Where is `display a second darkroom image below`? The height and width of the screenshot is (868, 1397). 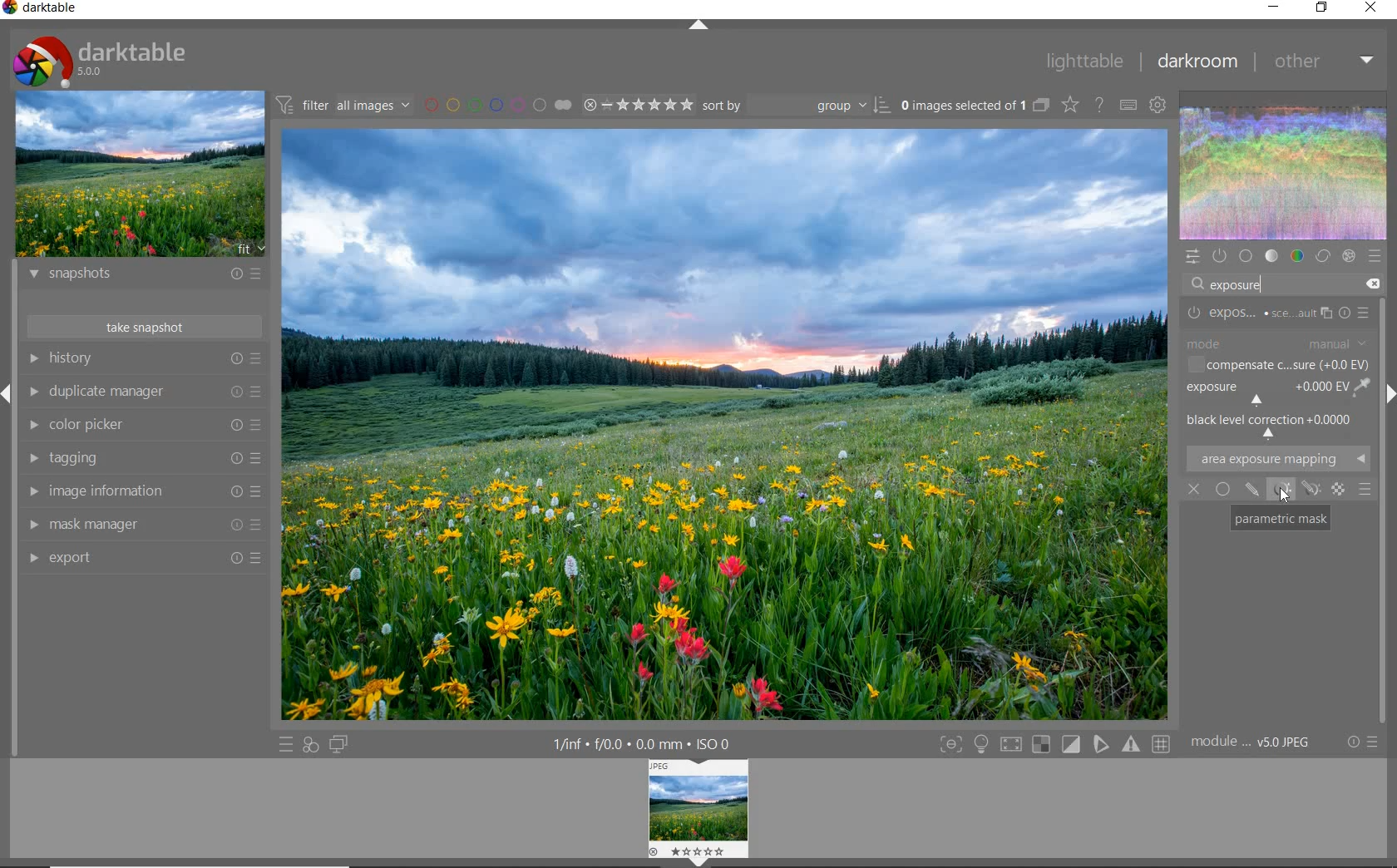
display a second darkroom image below is located at coordinates (342, 744).